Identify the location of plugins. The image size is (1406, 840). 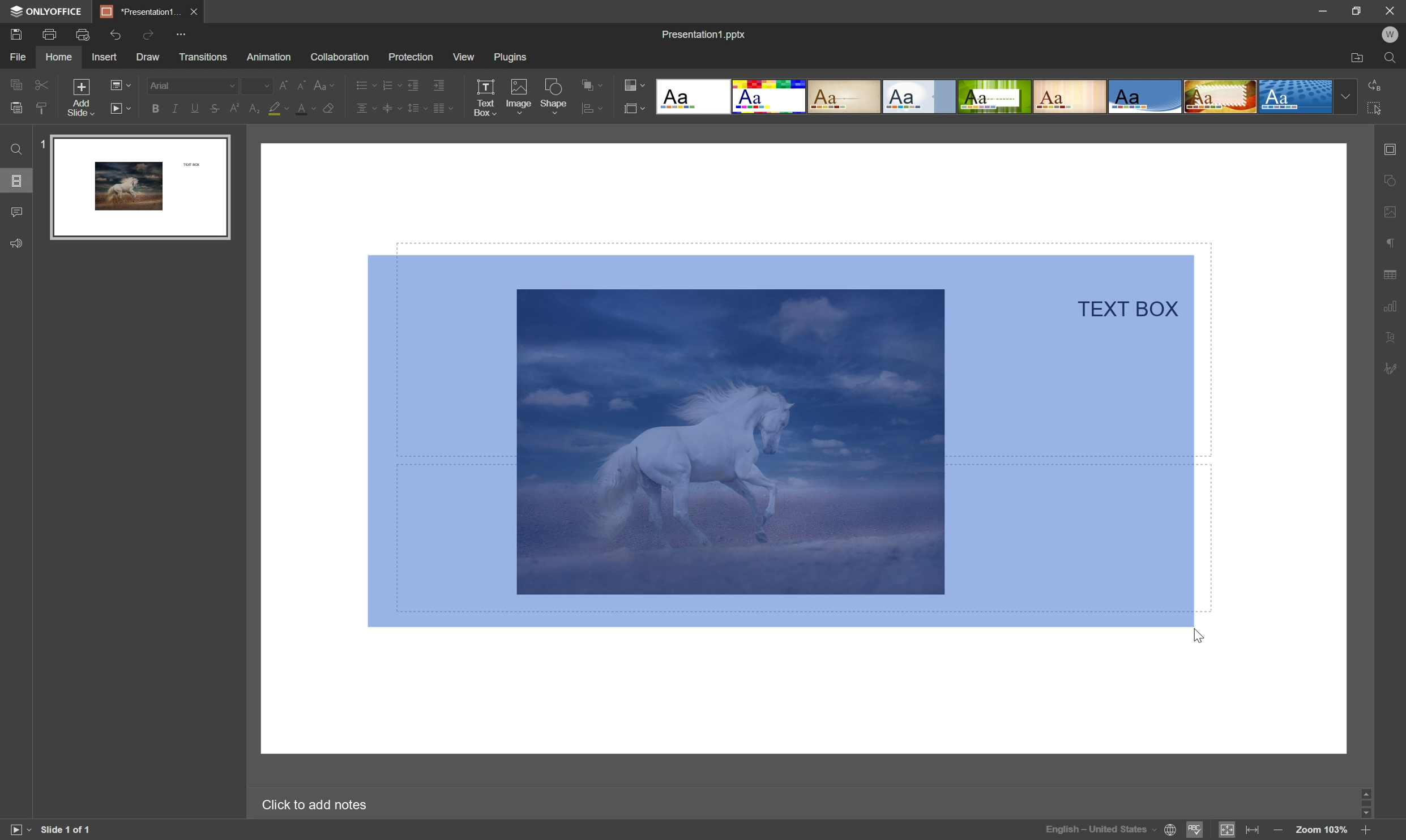
(511, 56).